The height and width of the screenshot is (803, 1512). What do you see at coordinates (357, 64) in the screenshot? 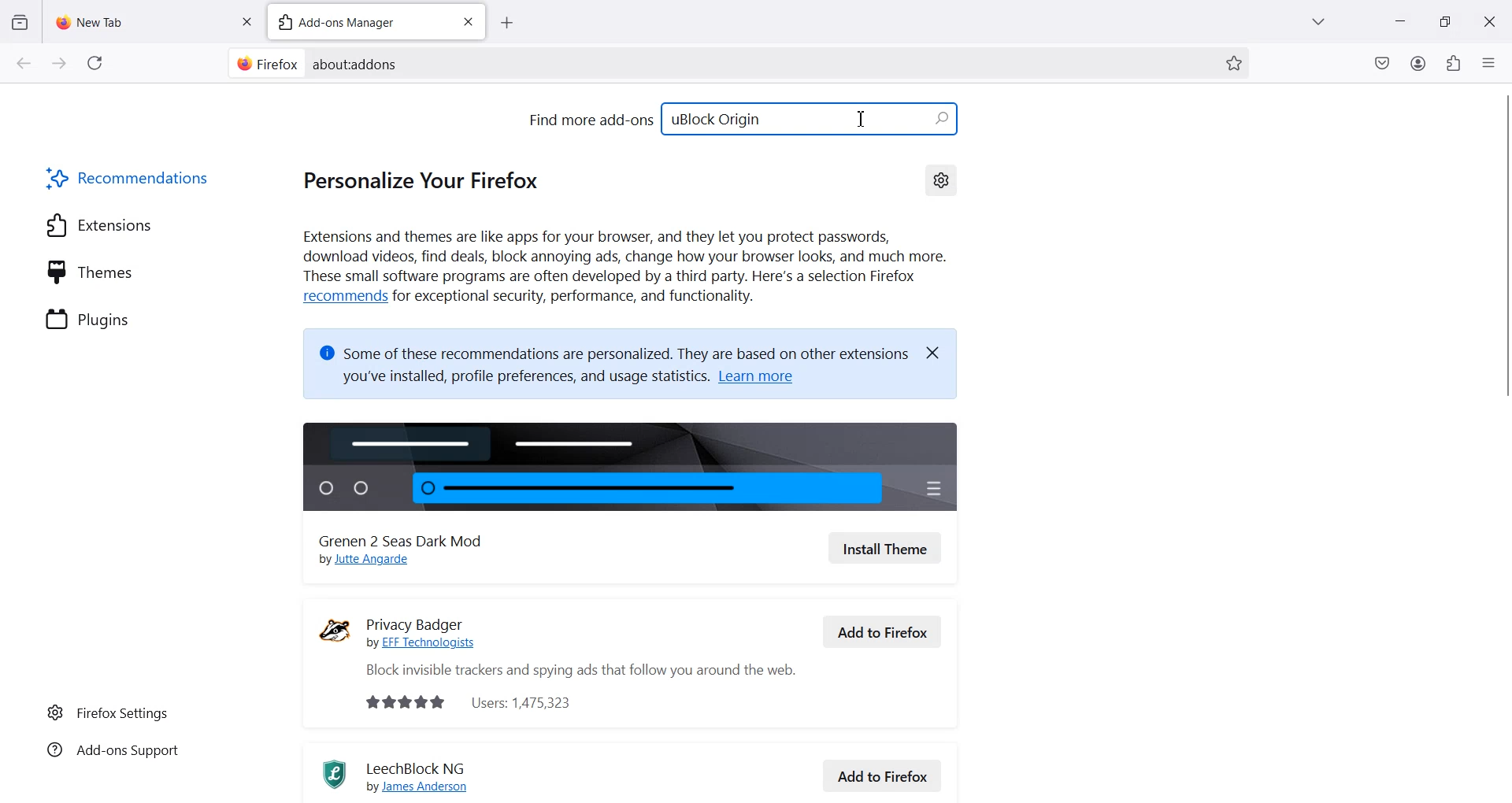
I see `Text` at bounding box center [357, 64].